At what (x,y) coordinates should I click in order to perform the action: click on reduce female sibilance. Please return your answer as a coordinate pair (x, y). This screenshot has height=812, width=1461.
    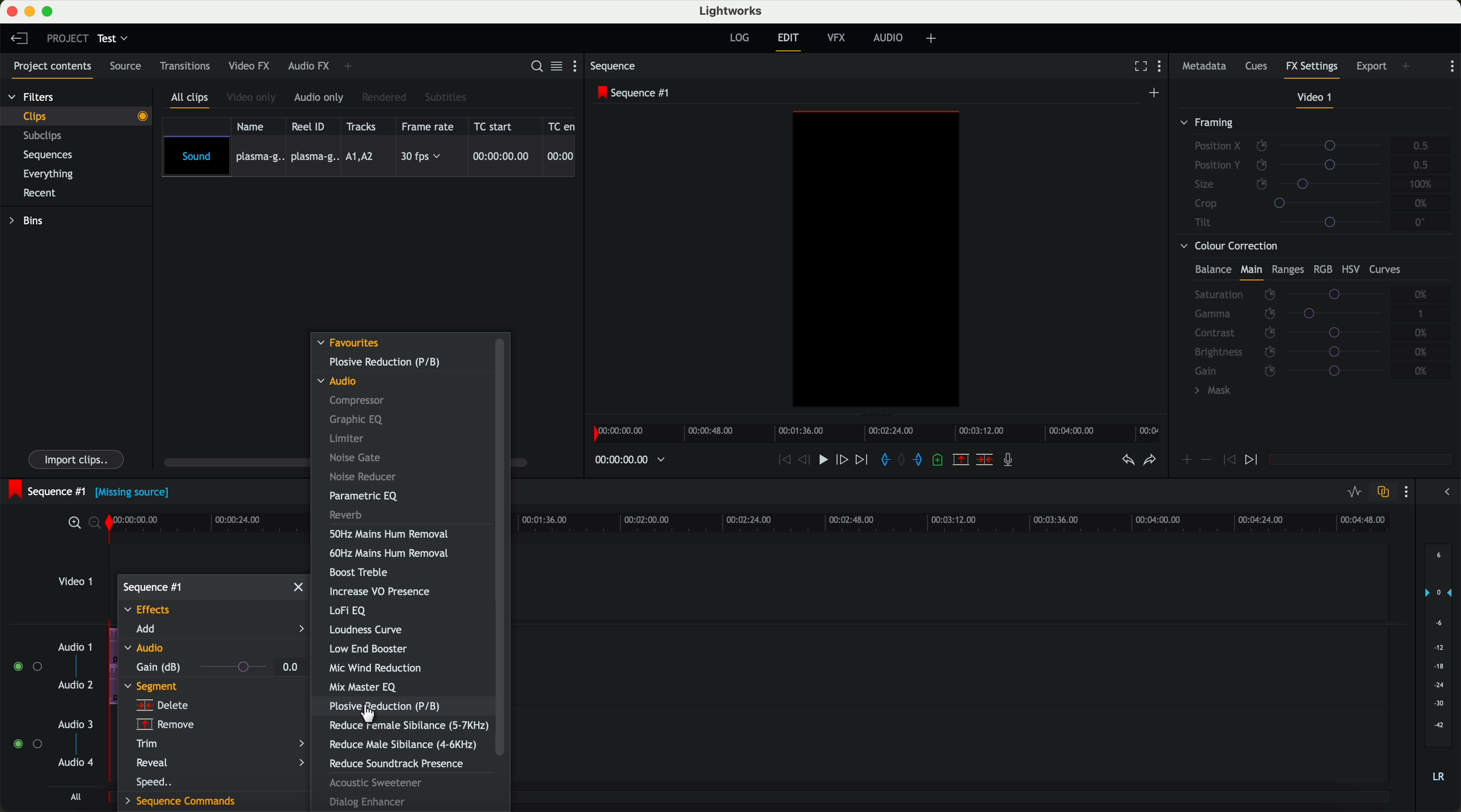
    Looking at the image, I should click on (407, 726).